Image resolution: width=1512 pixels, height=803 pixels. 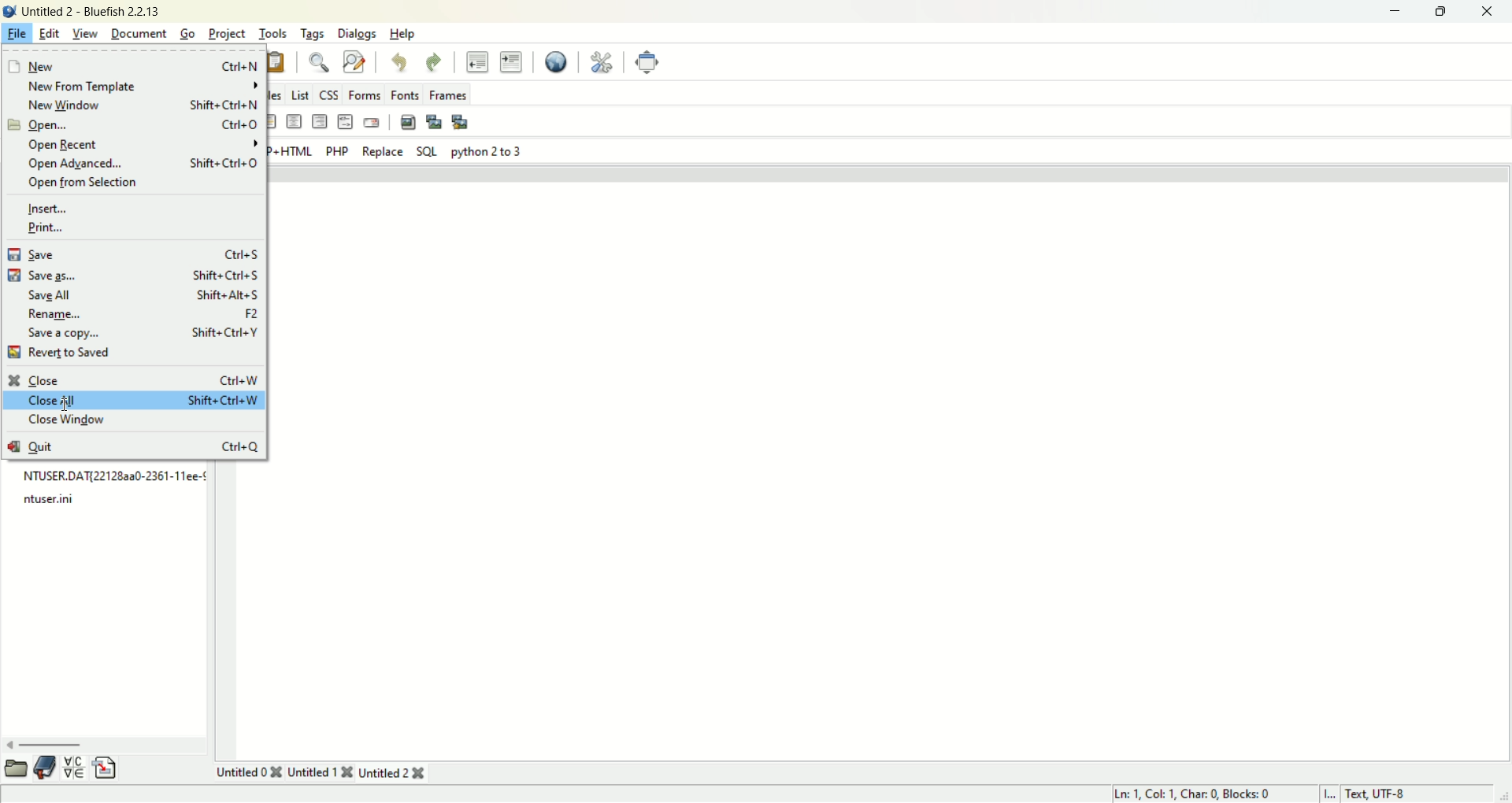 What do you see at coordinates (485, 151) in the screenshot?
I see `PYTHON 2 TO 3` at bounding box center [485, 151].